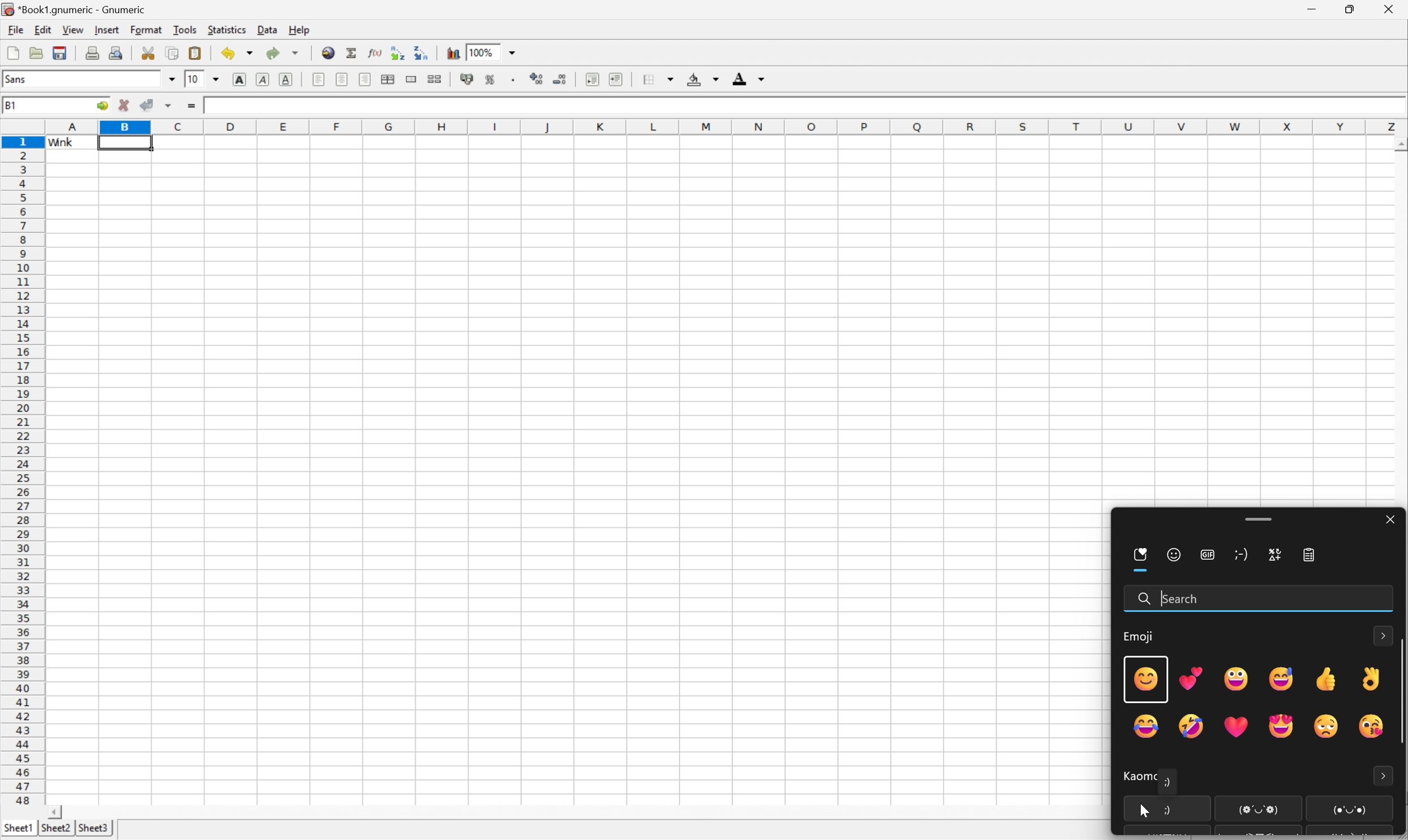  I want to click on drop down, so click(172, 79).